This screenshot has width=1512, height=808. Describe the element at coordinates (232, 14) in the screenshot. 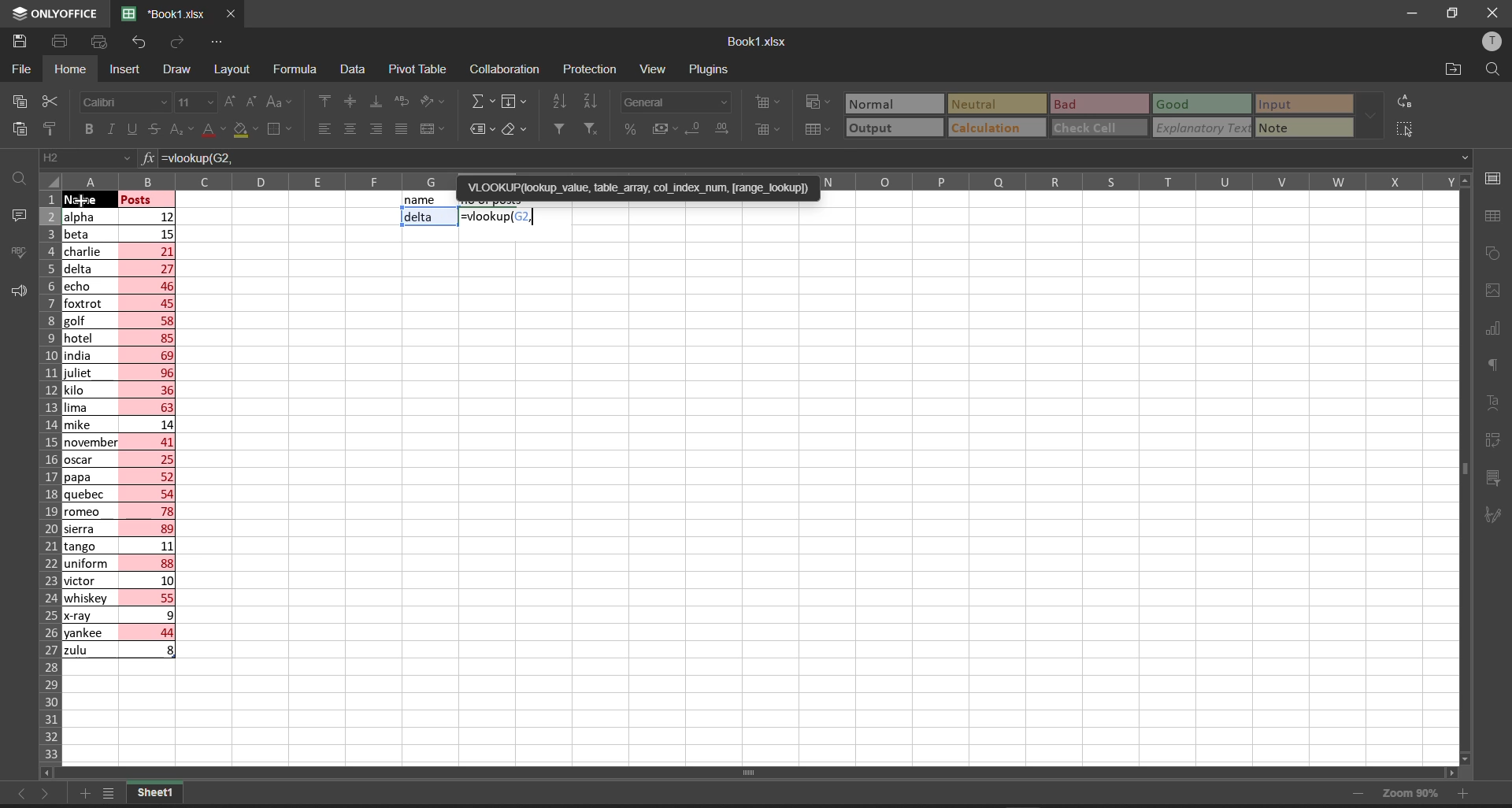

I see `close workbook` at that location.